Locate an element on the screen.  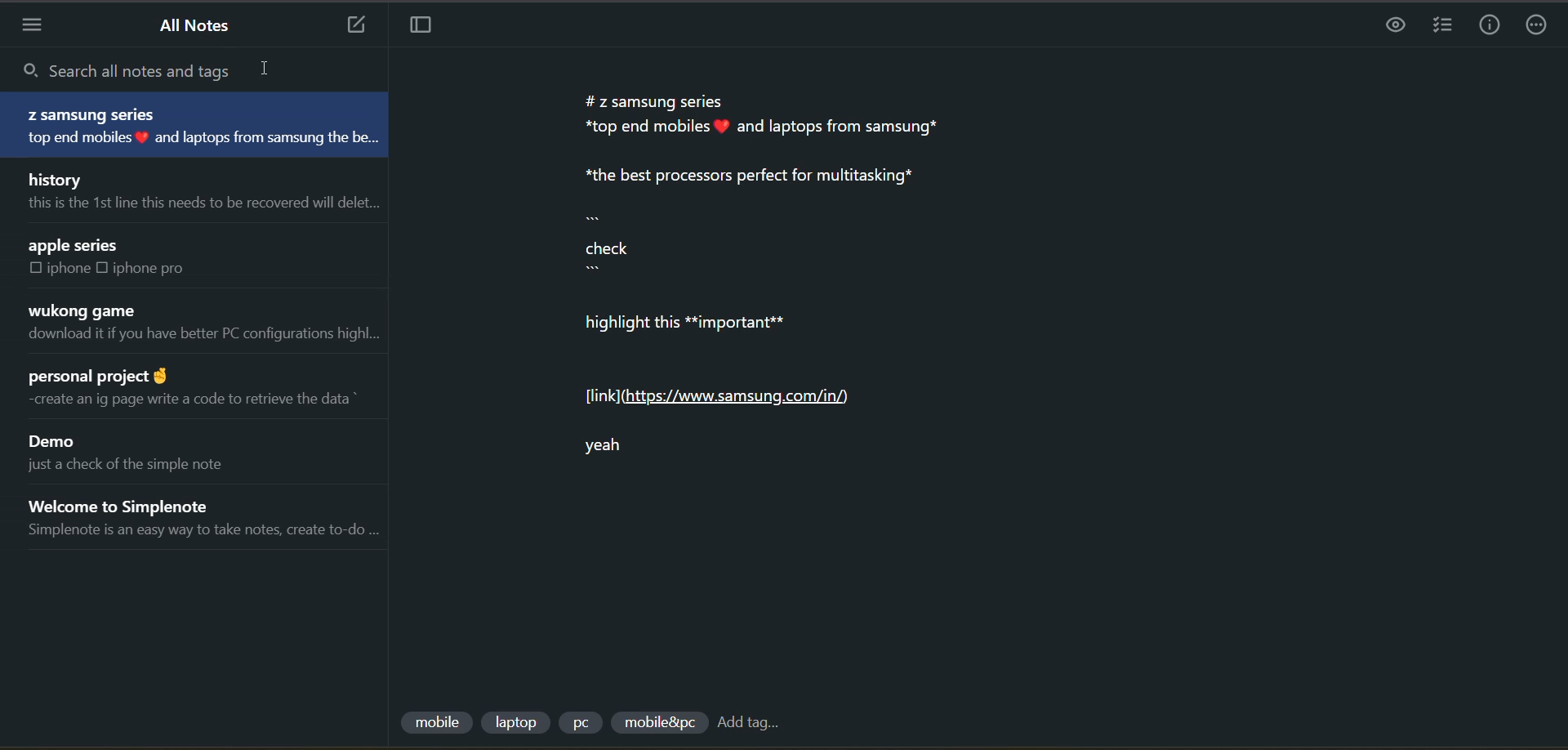
Demo is located at coordinates (55, 441).